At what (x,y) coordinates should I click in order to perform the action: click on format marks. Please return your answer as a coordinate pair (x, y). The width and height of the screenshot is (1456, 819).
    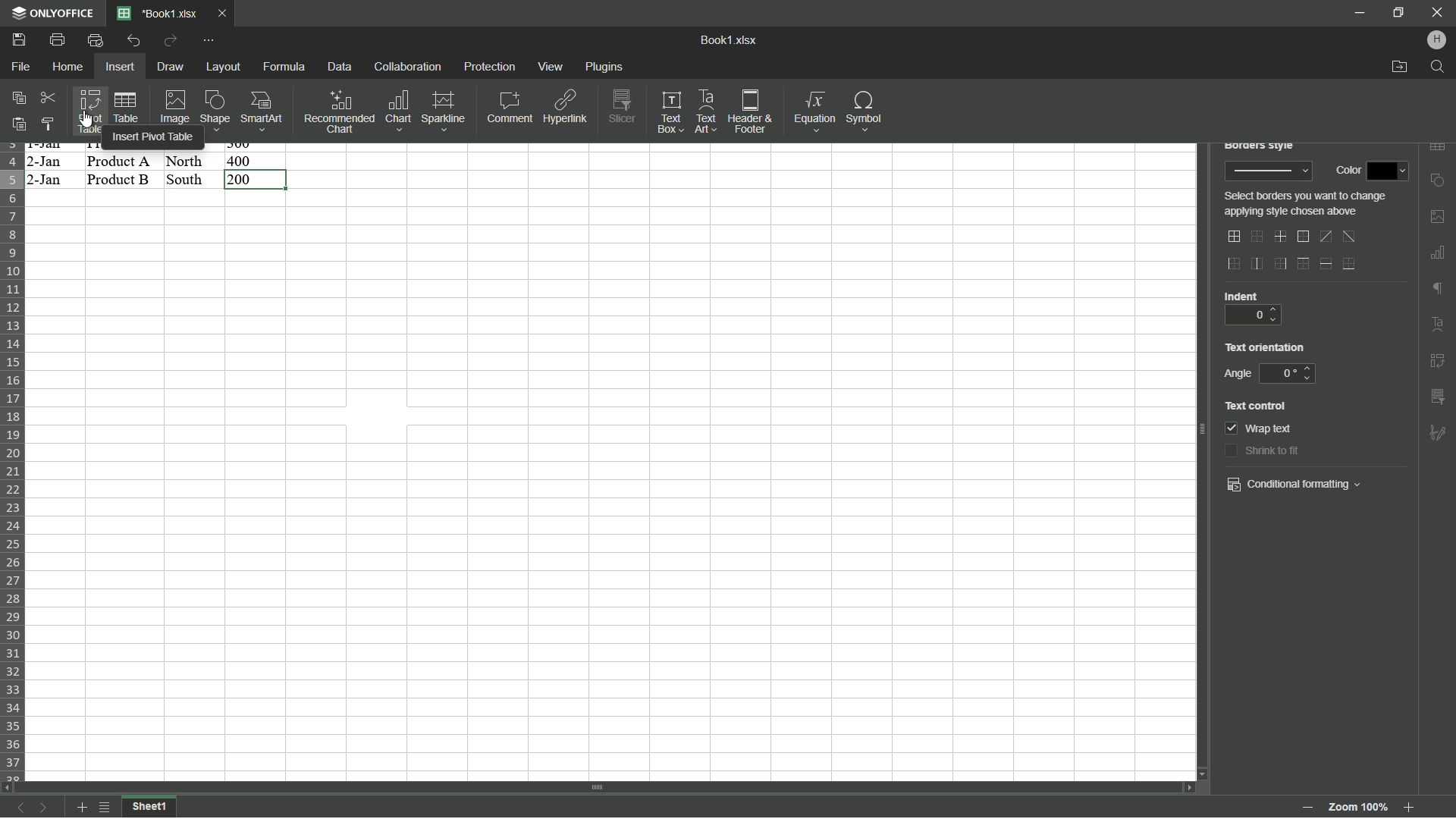
    Looking at the image, I should click on (1438, 290).